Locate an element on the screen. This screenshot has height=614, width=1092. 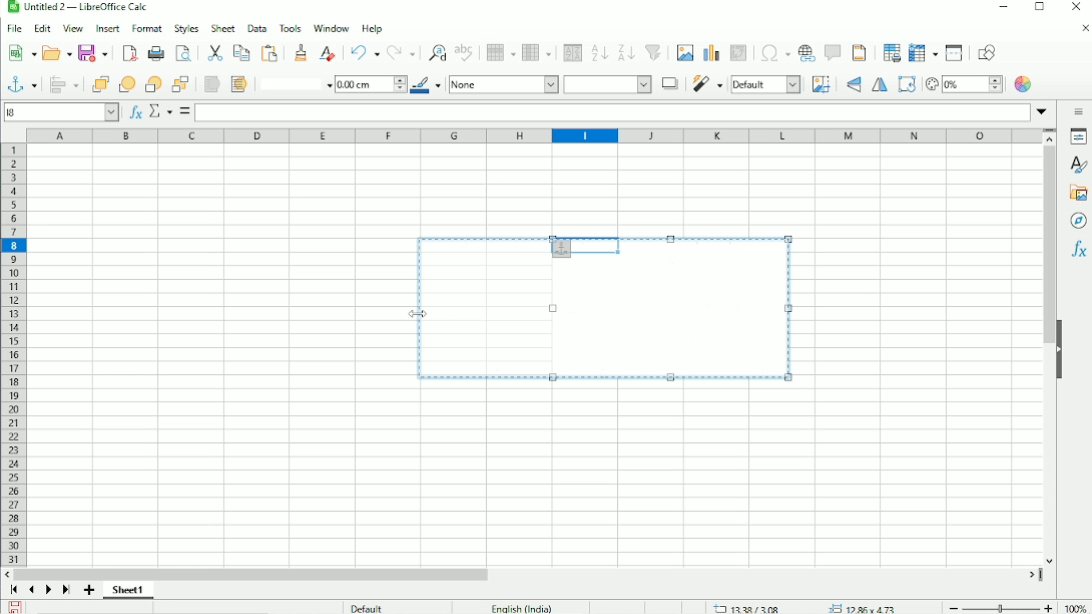
Data is located at coordinates (256, 28).